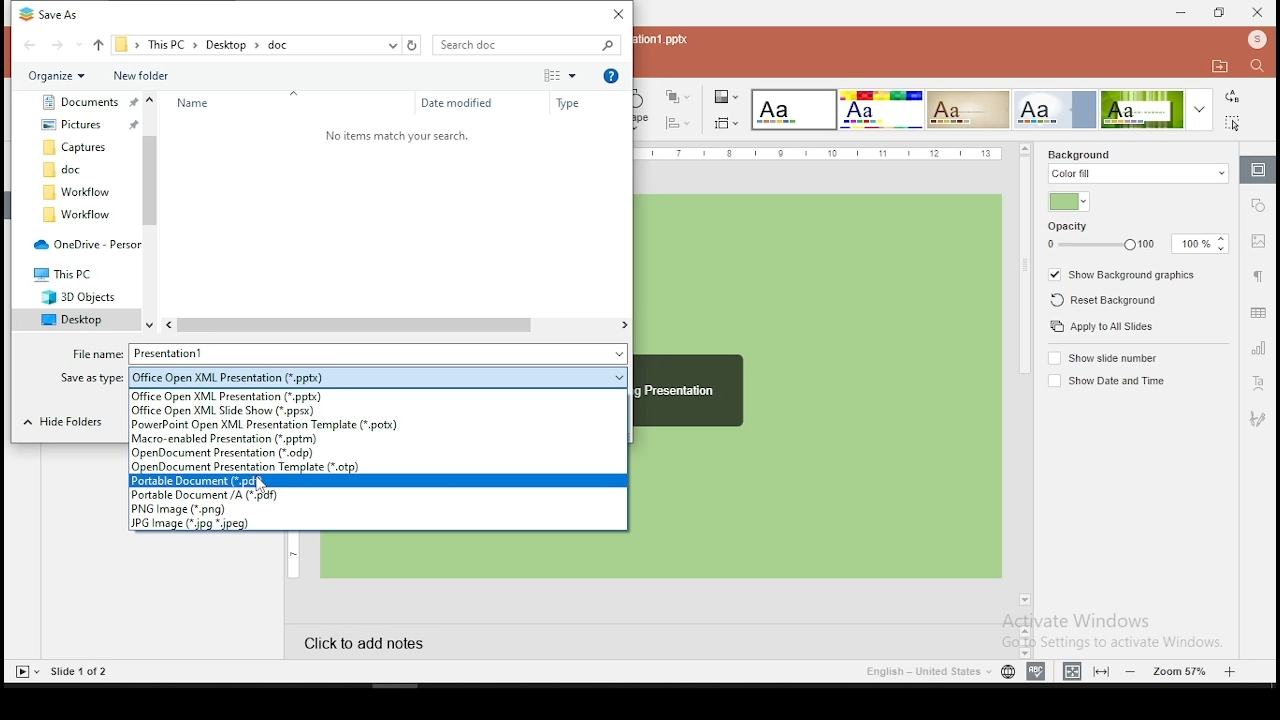 This screenshot has height=720, width=1280. I want to click on cursor, so click(264, 484).